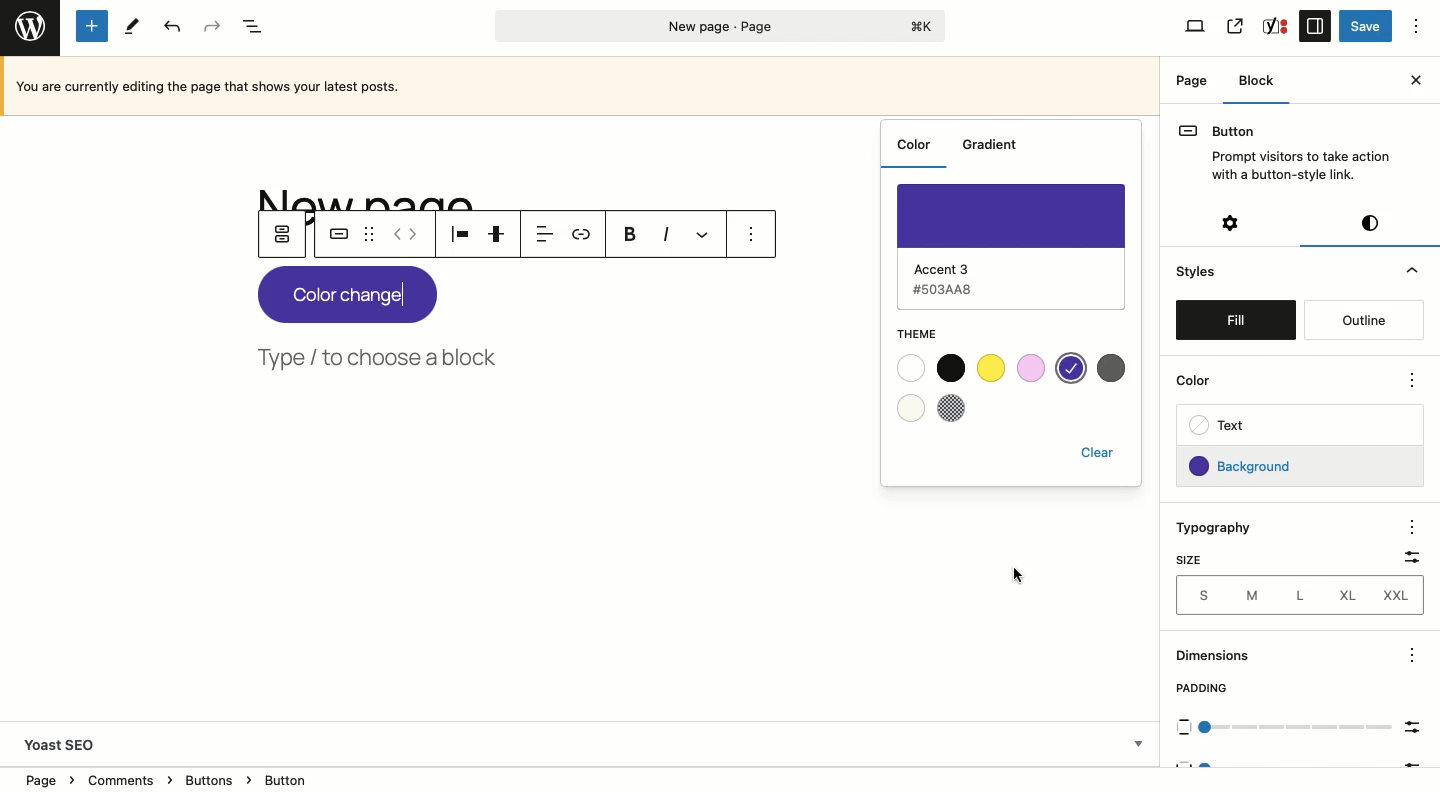  What do you see at coordinates (630, 234) in the screenshot?
I see `Bold` at bounding box center [630, 234].